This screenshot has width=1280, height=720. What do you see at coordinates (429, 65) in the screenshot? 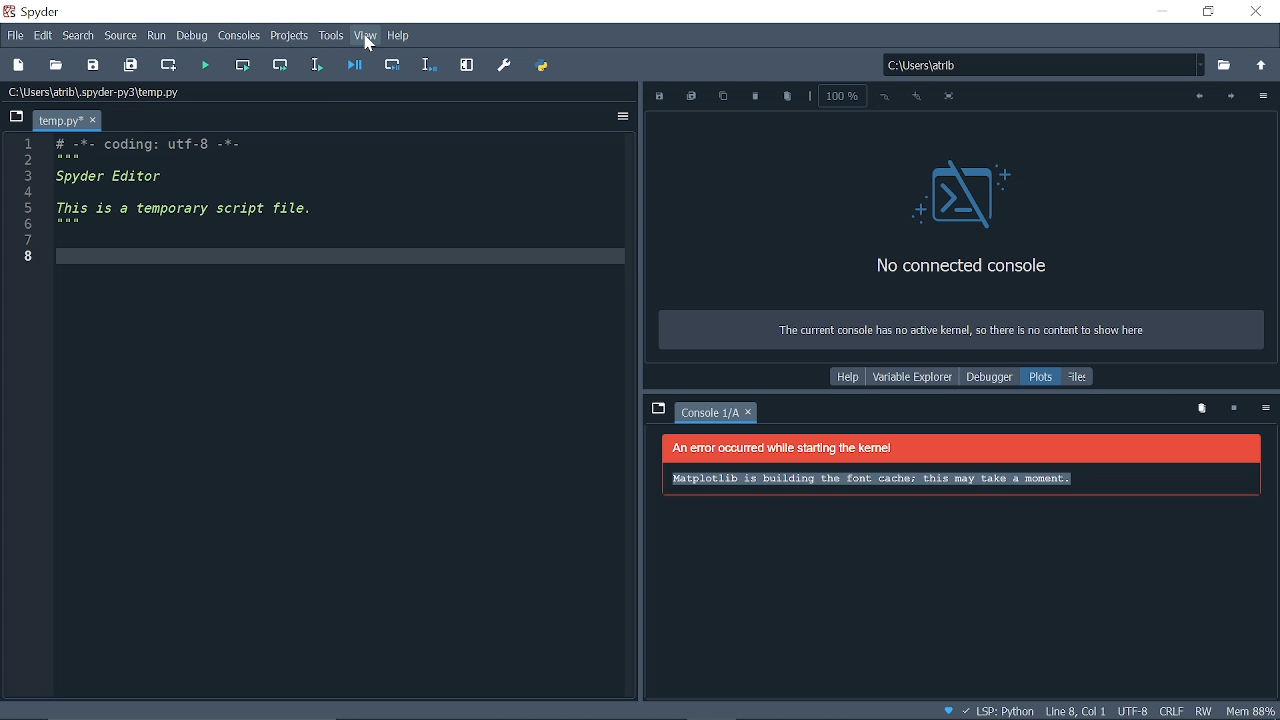
I see `Debug selection or current line` at bounding box center [429, 65].